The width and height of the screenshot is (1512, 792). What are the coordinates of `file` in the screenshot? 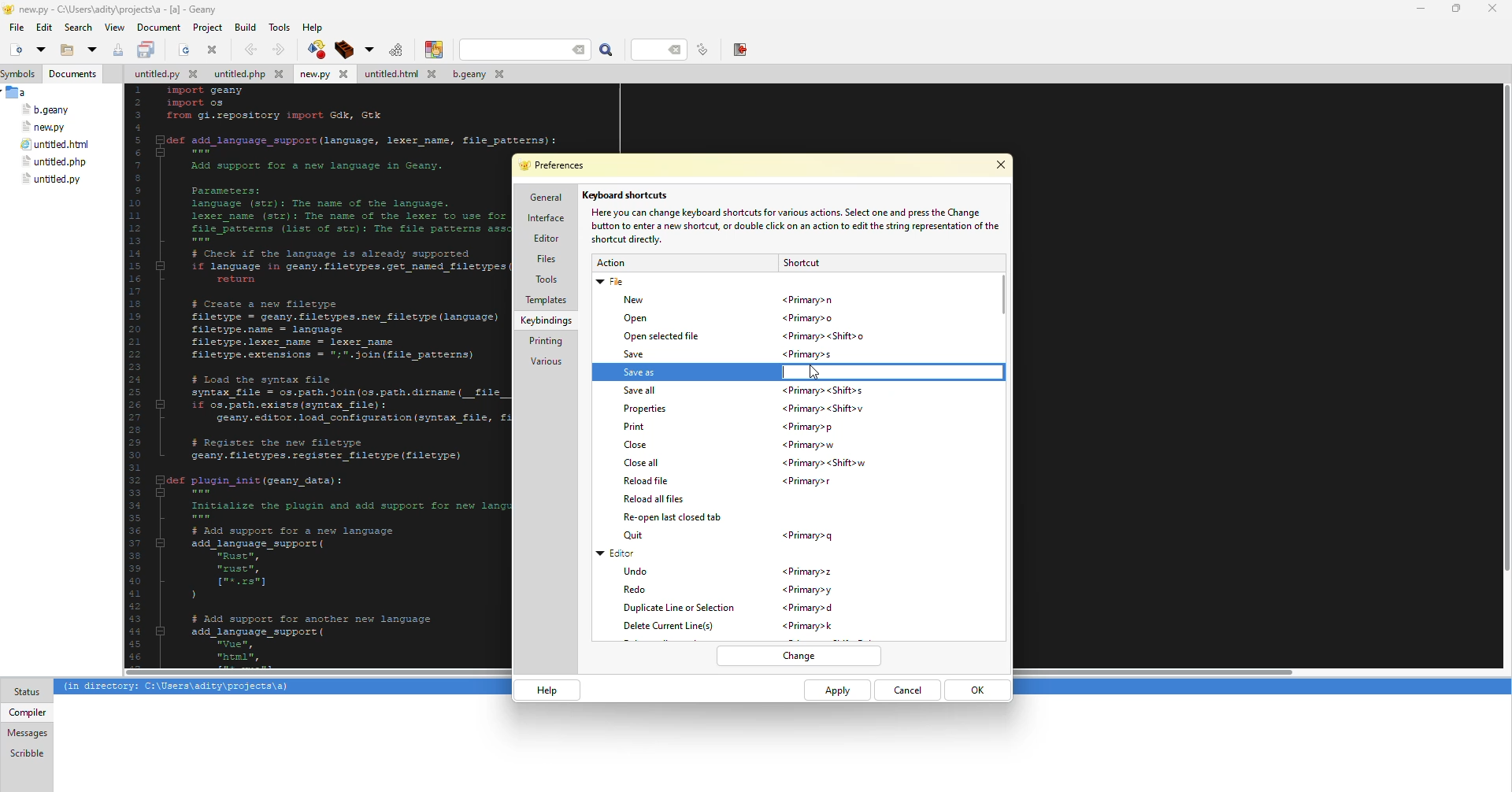 It's located at (53, 162).